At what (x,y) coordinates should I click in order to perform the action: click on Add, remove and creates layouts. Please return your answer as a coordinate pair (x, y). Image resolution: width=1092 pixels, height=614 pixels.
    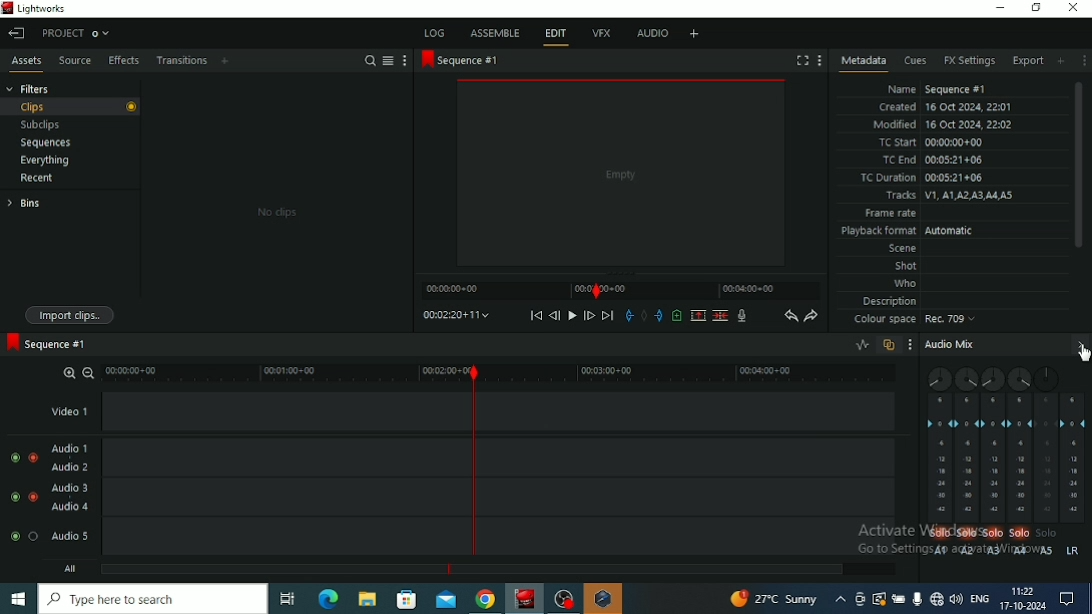
    Looking at the image, I should click on (693, 34).